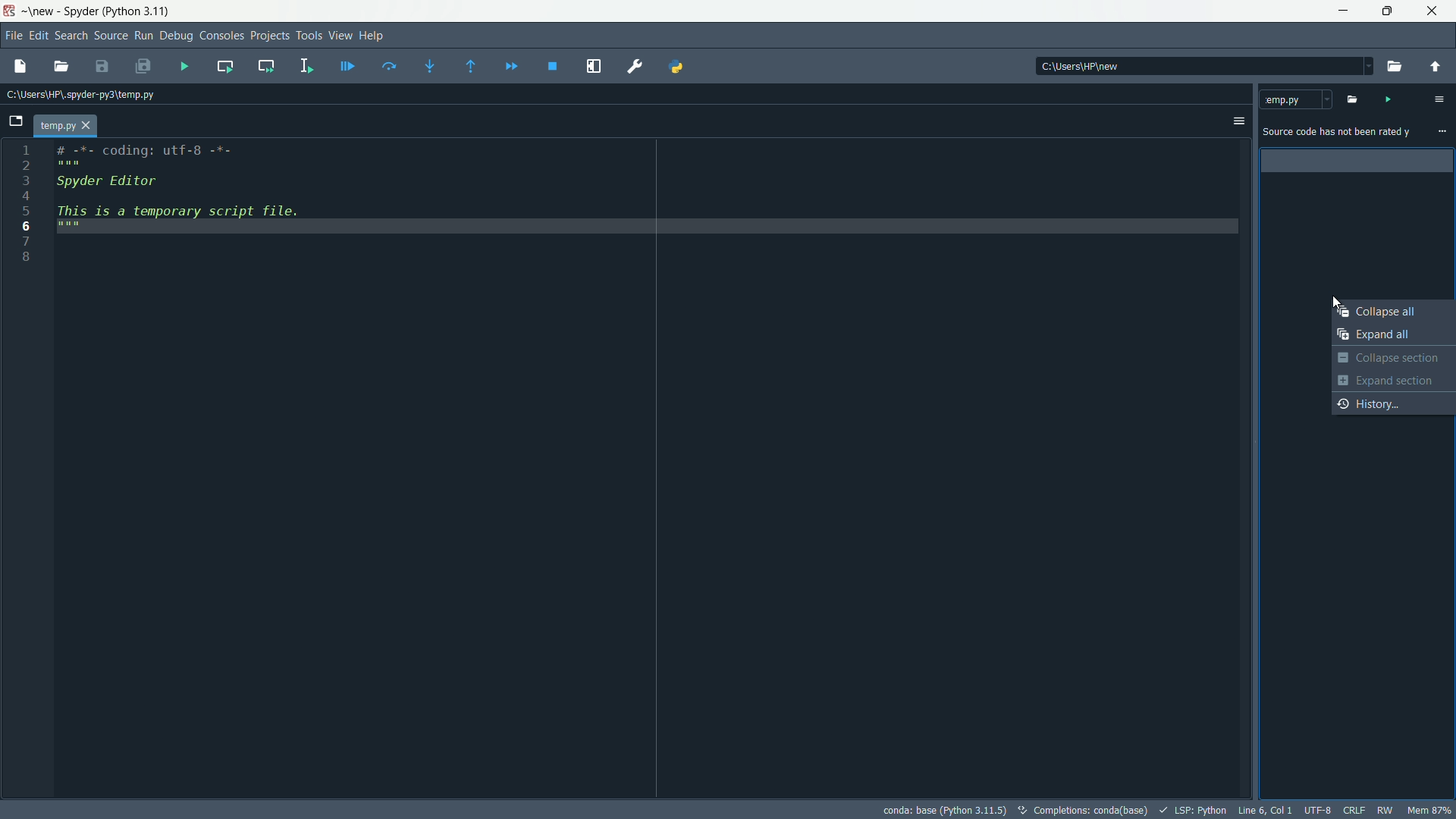  What do you see at coordinates (65, 127) in the screenshot?
I see `file name: temp.py` at bounding box center [65, 127].